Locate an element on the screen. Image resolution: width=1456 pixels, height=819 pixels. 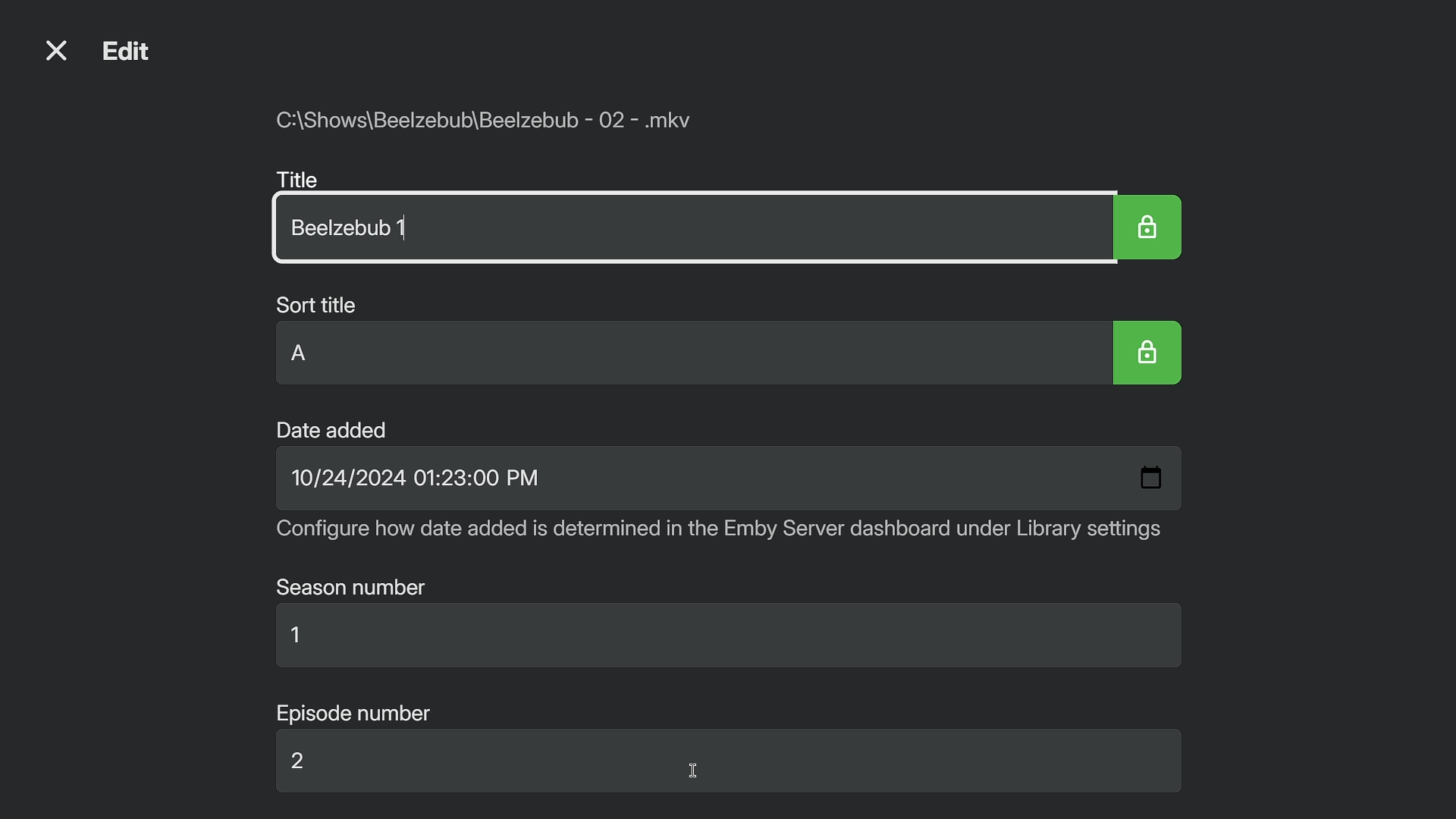
Title is located at coordinates (299, 175).